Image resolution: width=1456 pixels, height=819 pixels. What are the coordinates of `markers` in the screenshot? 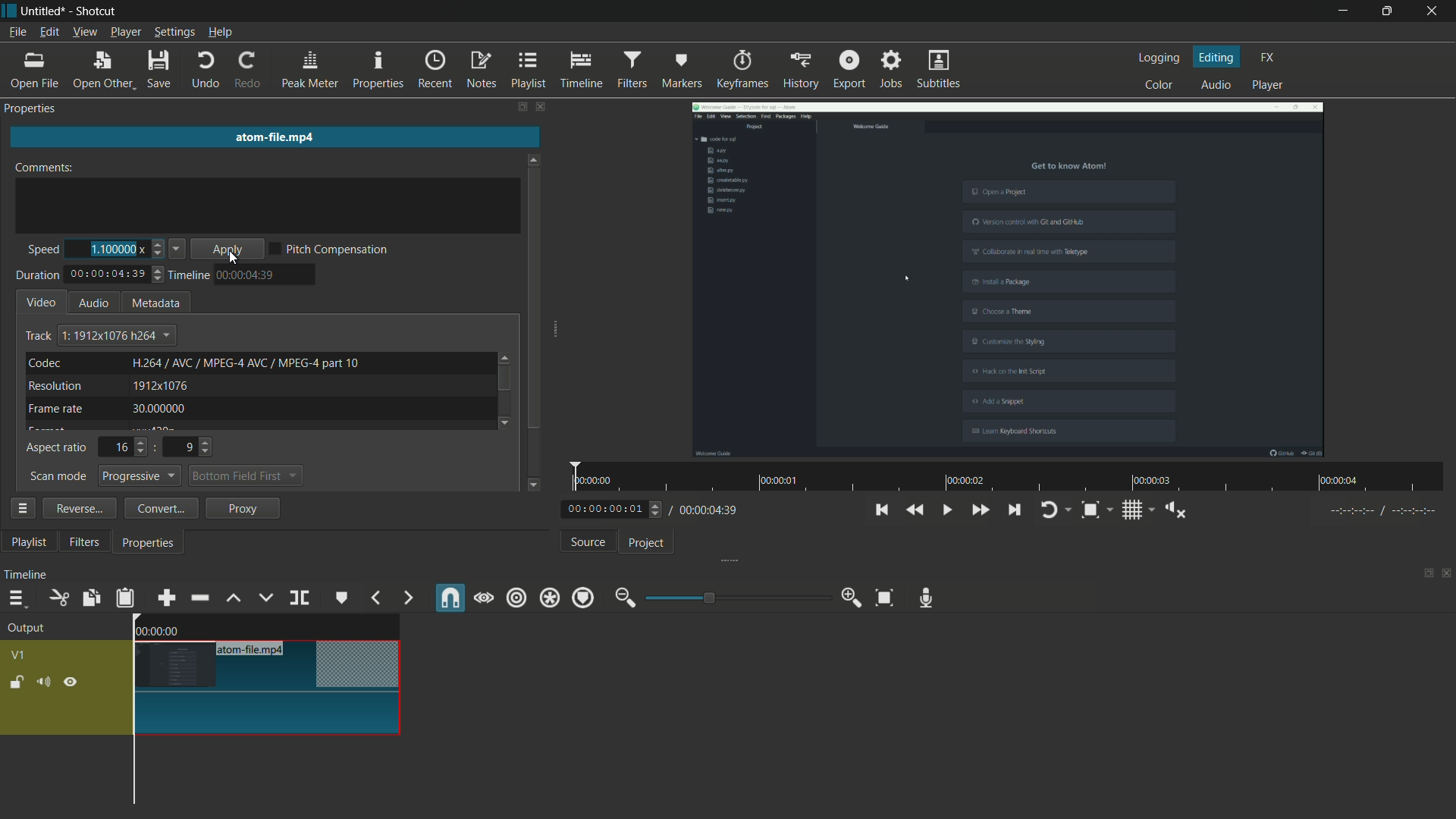 It's located at (683, 69).